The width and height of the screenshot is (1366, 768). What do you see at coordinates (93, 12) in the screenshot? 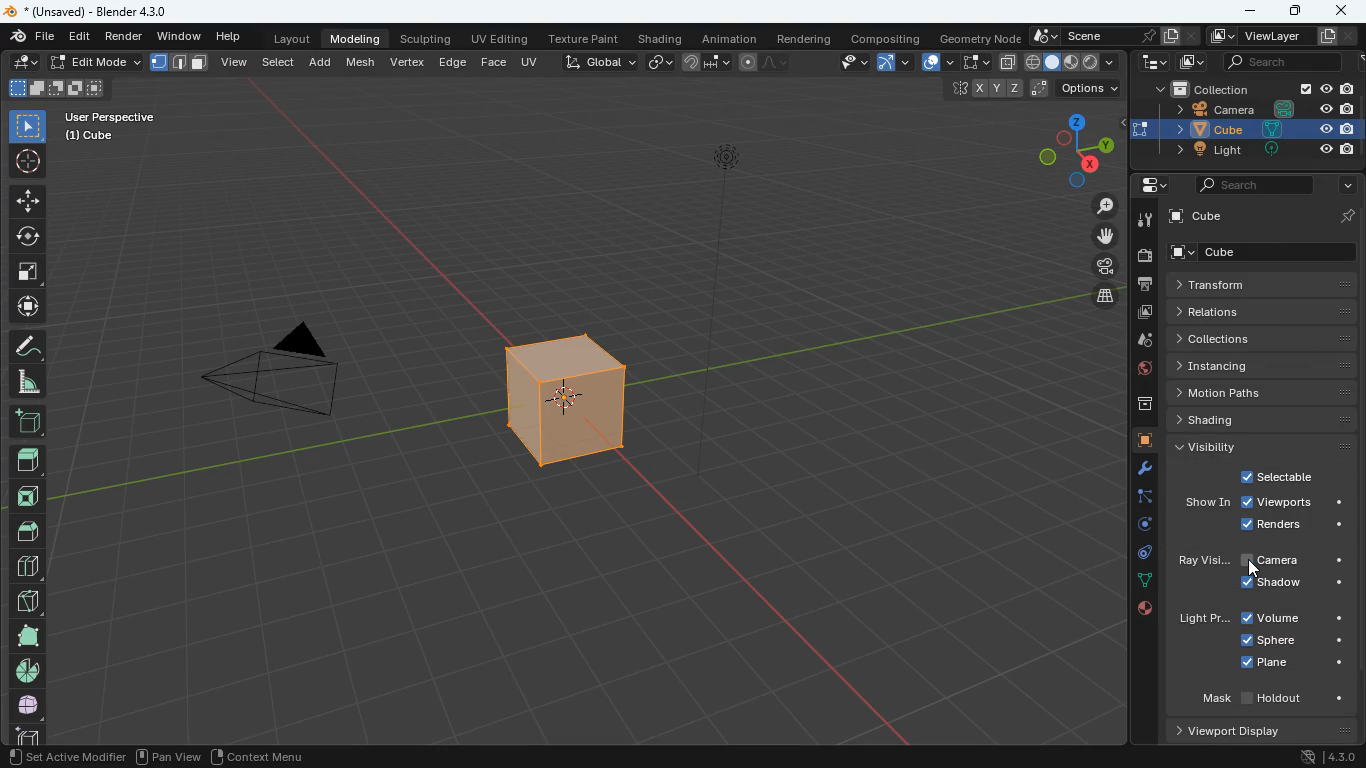
I see `blender` at bounding box center [93, 12].